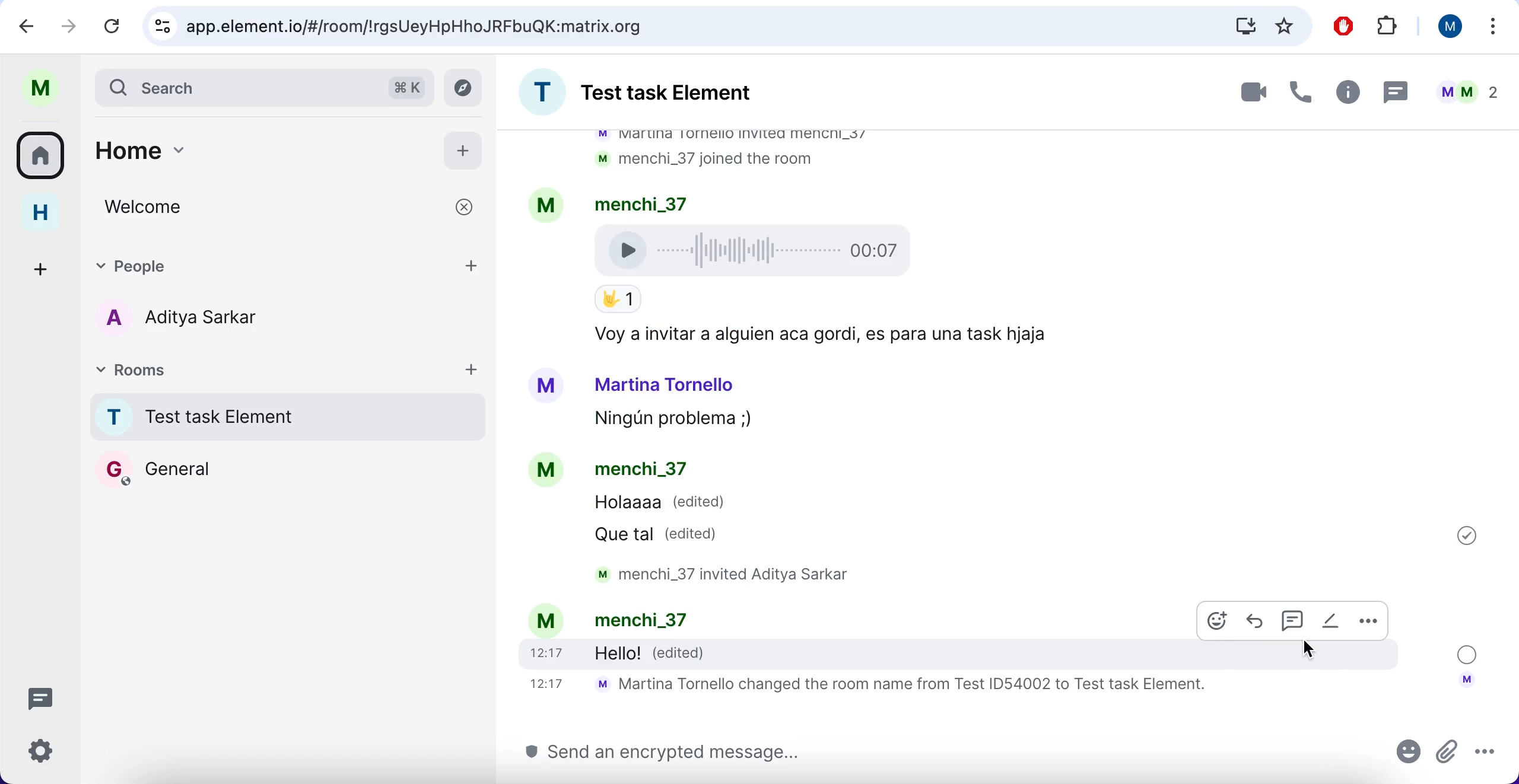  What do you see at coordinates (1470, 94) in the screenshot?
I see `user chats` at bounding box center [1470, 94].